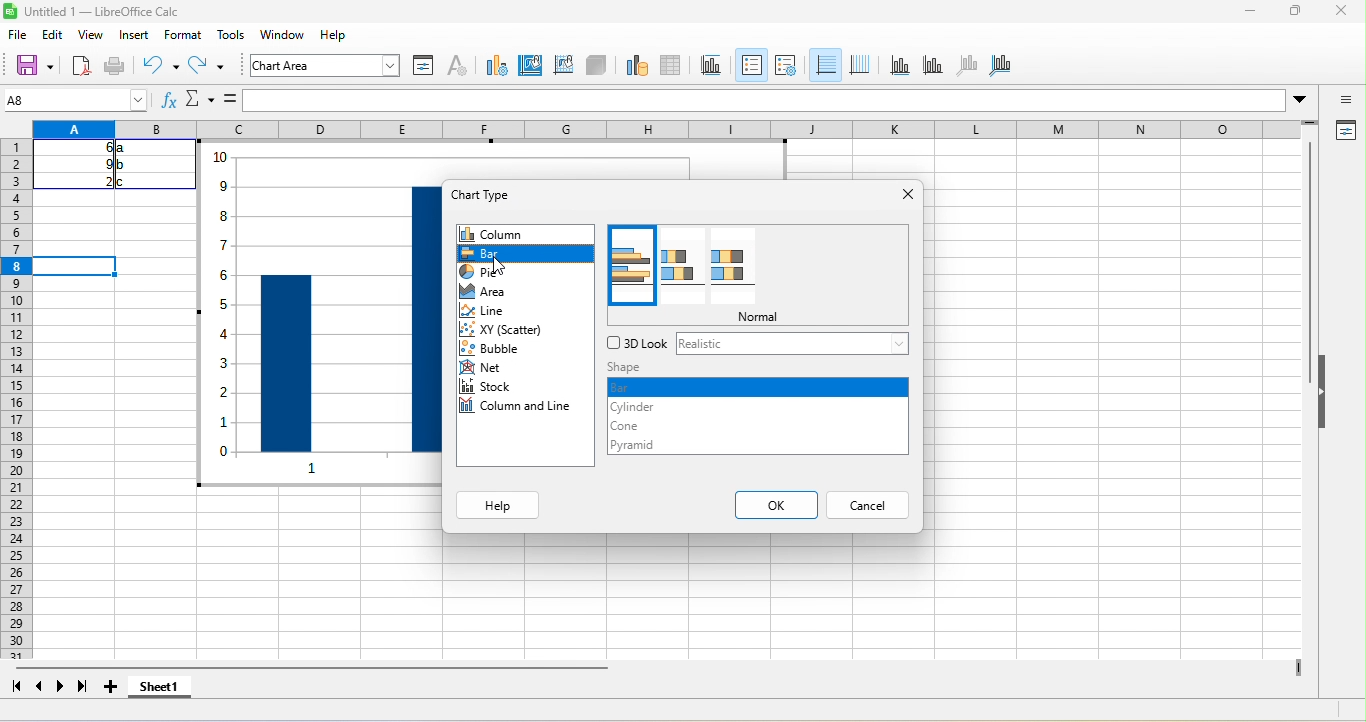 Image resolution: width=1366 pixels, height=722 pixels. Describe the element at coordinates (127, 181) in the screenshot. I see `c` at that location.